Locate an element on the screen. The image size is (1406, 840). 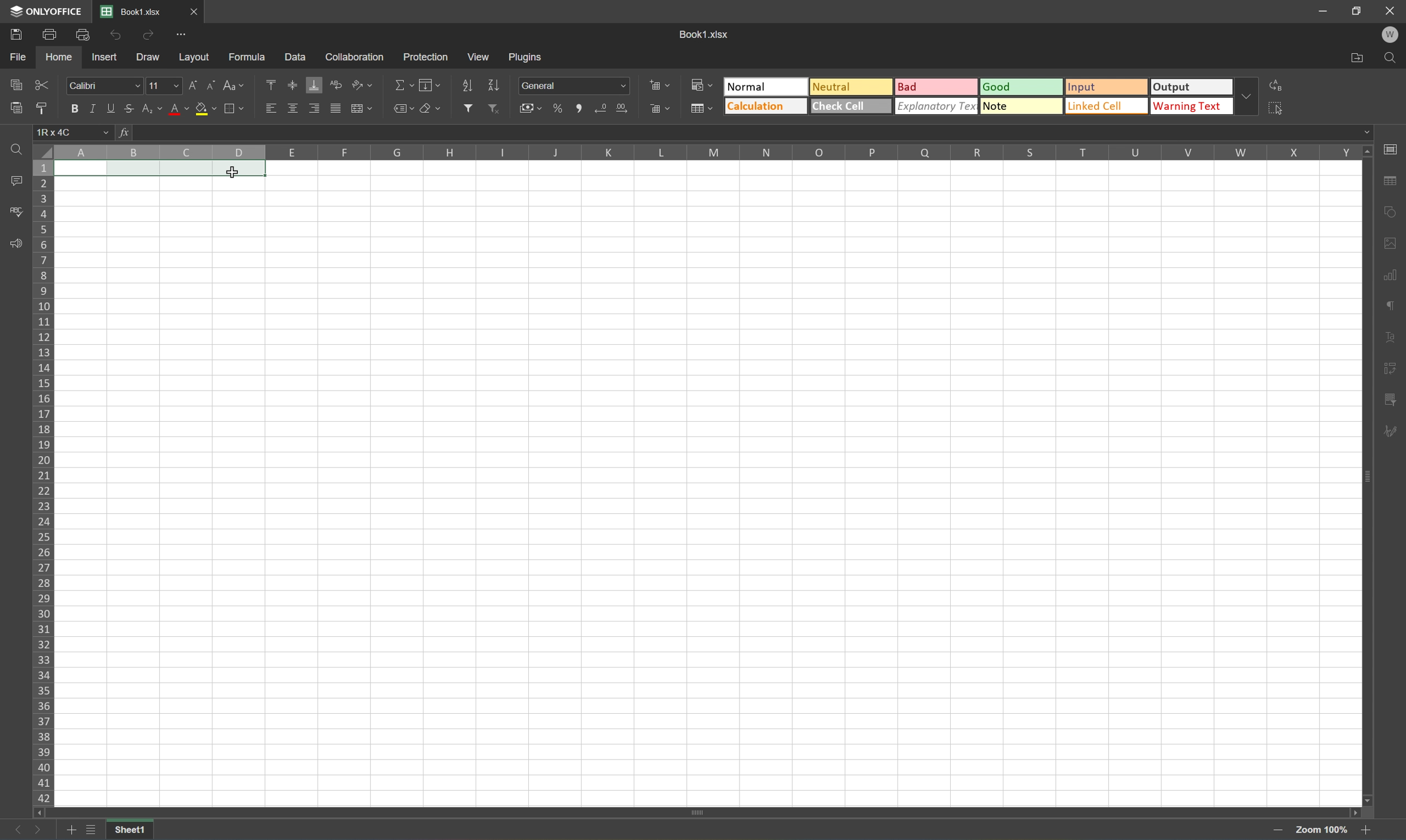
Insert cells is located at coordinates (657, 84).